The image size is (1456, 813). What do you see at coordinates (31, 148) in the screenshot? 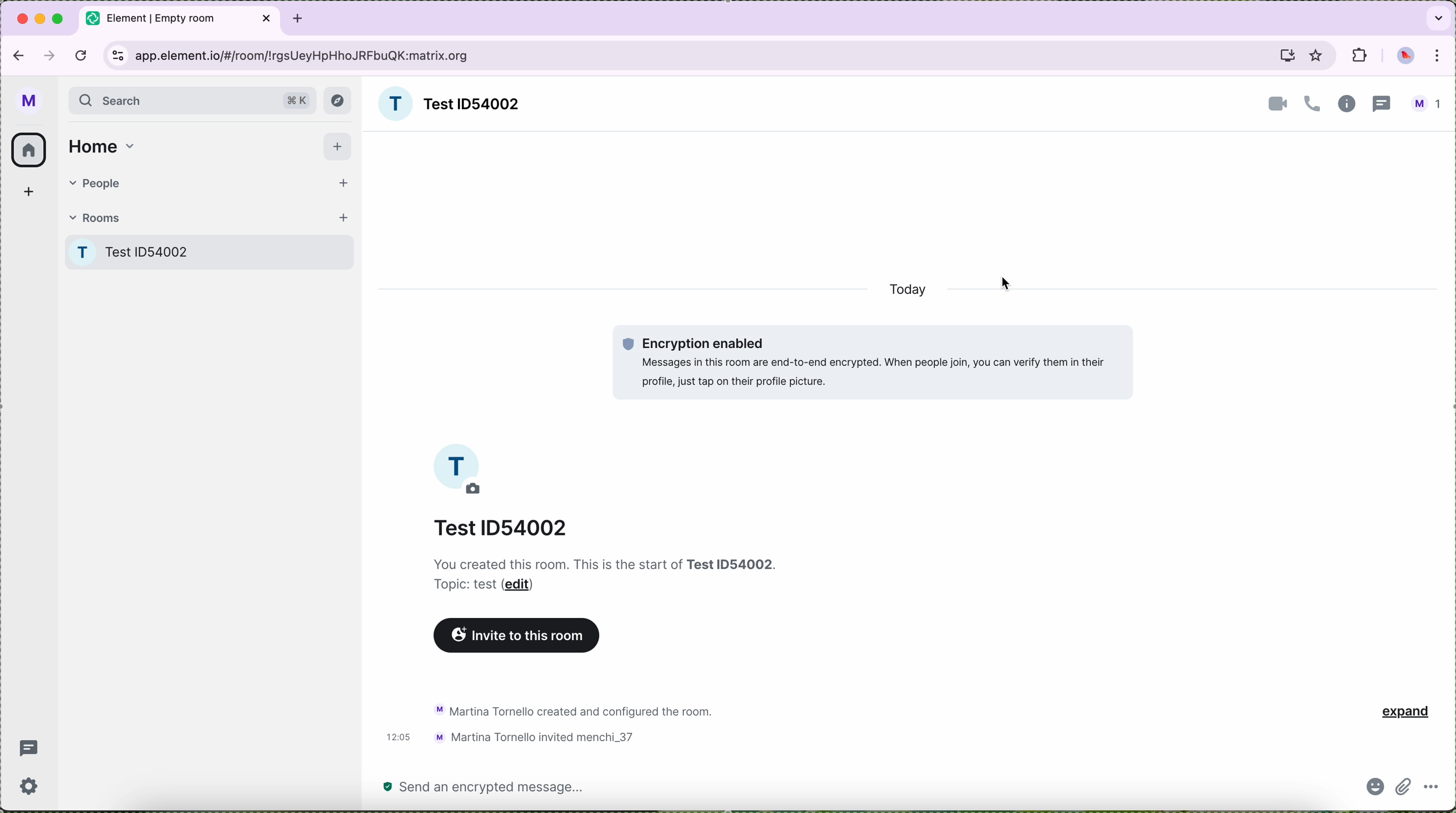
I see `home icon` at bounding box center [31, 148].